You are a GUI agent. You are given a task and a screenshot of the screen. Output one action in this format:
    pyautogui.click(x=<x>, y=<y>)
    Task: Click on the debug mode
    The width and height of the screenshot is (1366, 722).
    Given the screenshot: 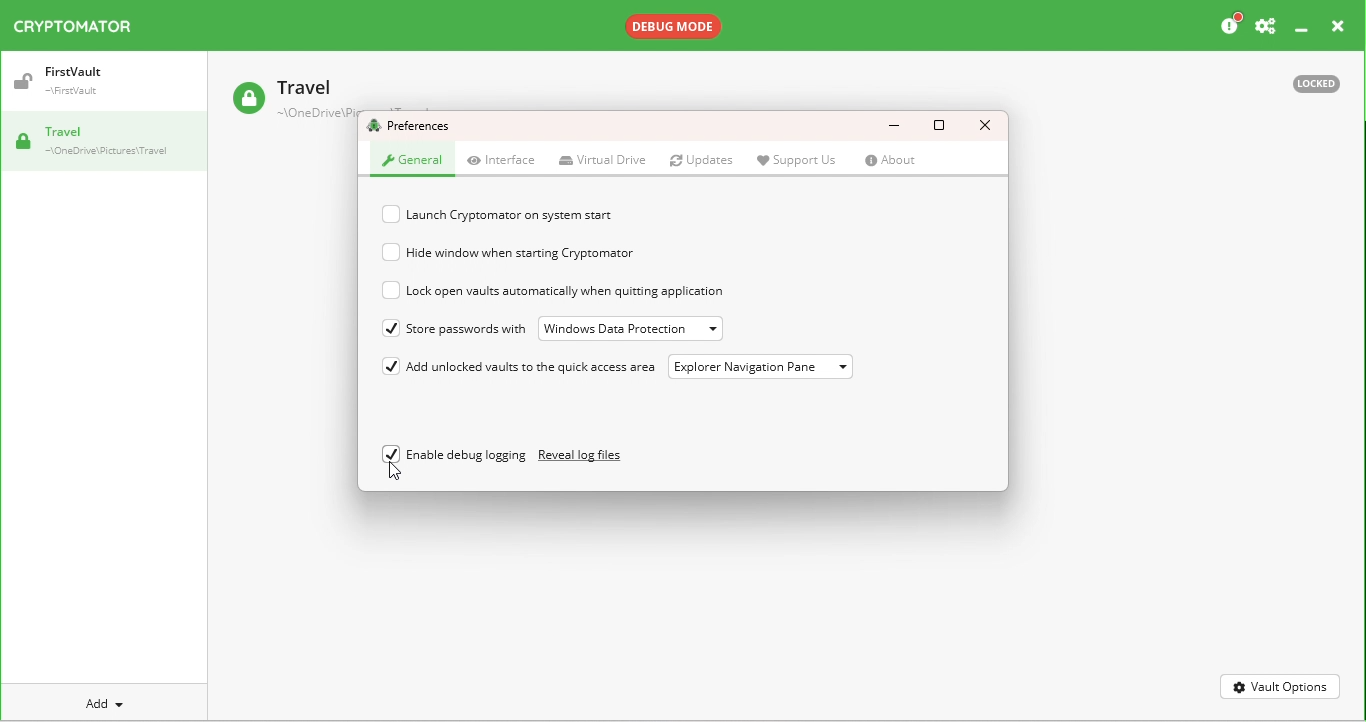 What is the action you would take?
    pyautogui.click(x=684, y=27)
    